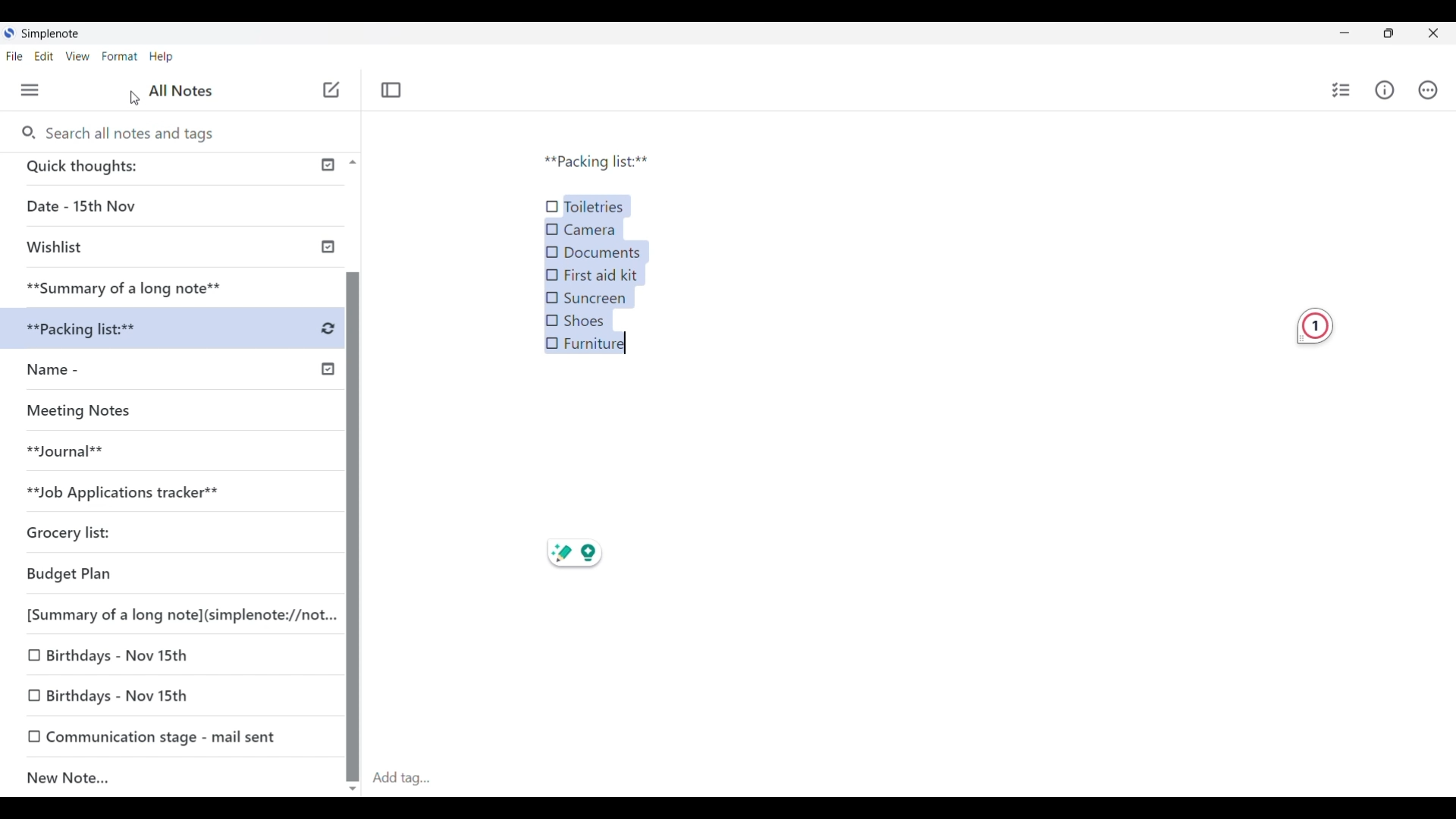 This screenshot has height=819, width=1456. What do you see at coordinates (83, 457) in the screenshot?
I see `Journal` at bounding box center [83, 457].